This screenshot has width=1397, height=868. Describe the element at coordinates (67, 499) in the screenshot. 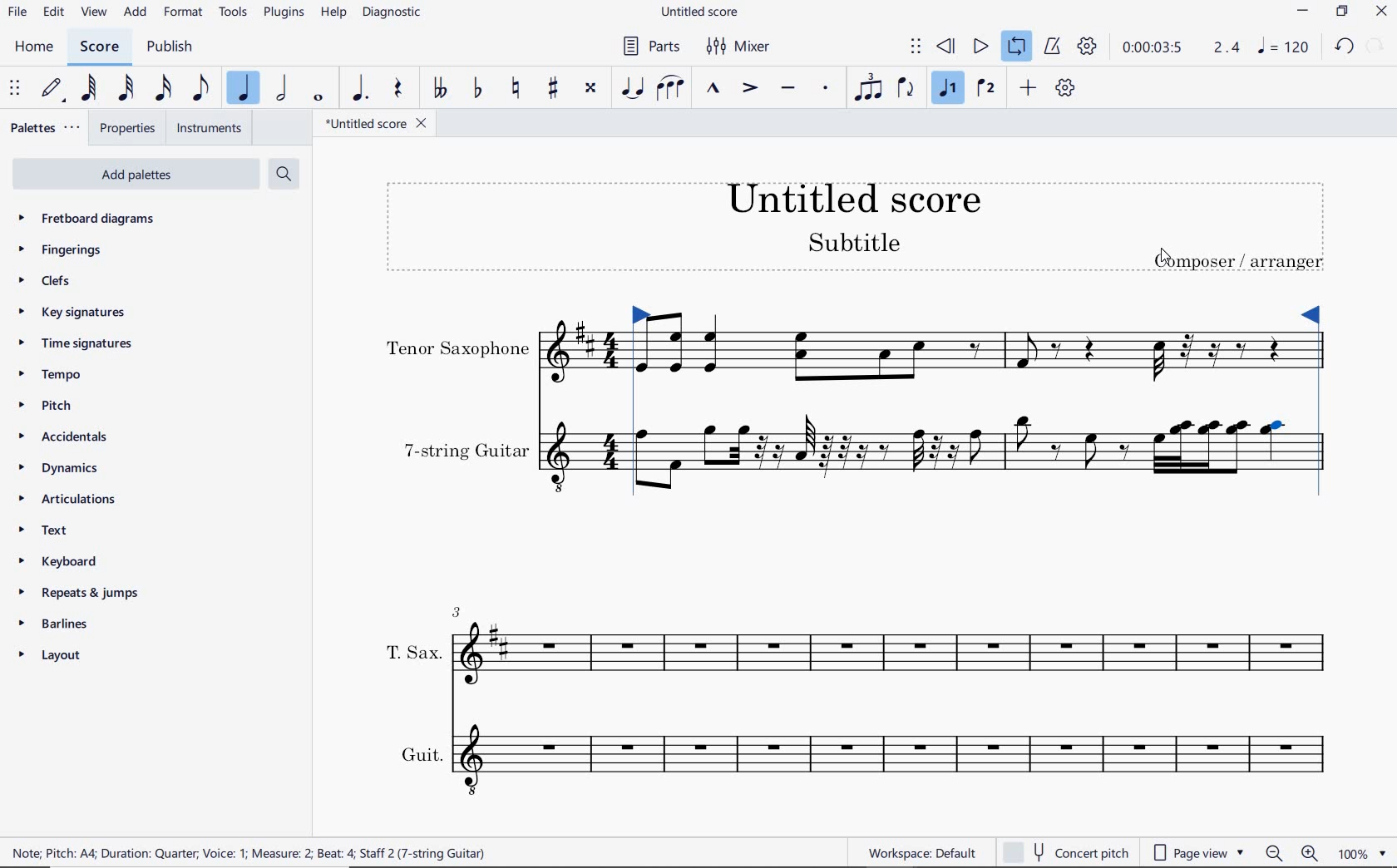

I see `ARTICULATIONS` at that location.